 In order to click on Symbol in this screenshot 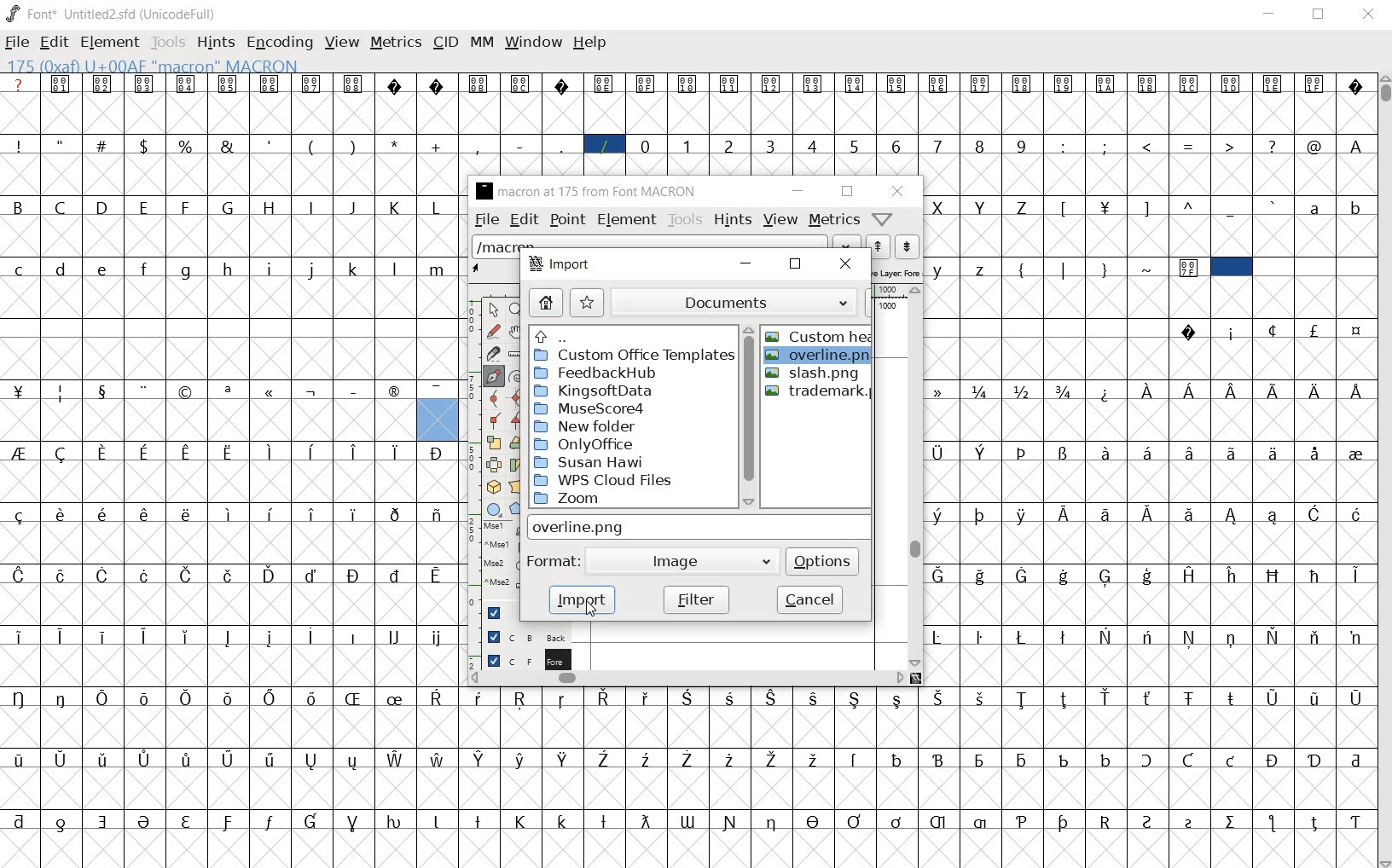, I will do `click(606, 760)`.